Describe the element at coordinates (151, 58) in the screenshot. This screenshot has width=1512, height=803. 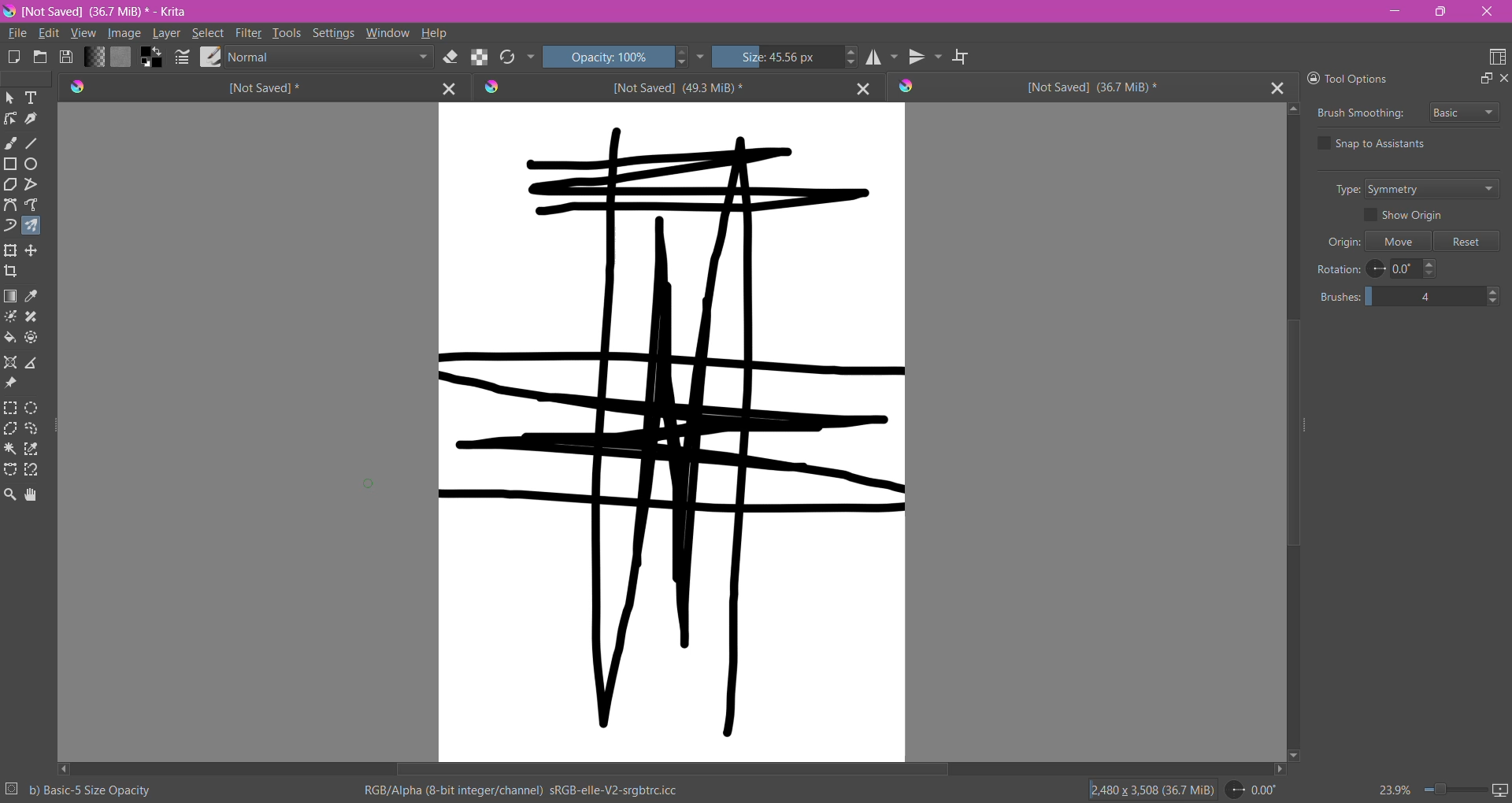
I see `Background Color Selector` at that location.